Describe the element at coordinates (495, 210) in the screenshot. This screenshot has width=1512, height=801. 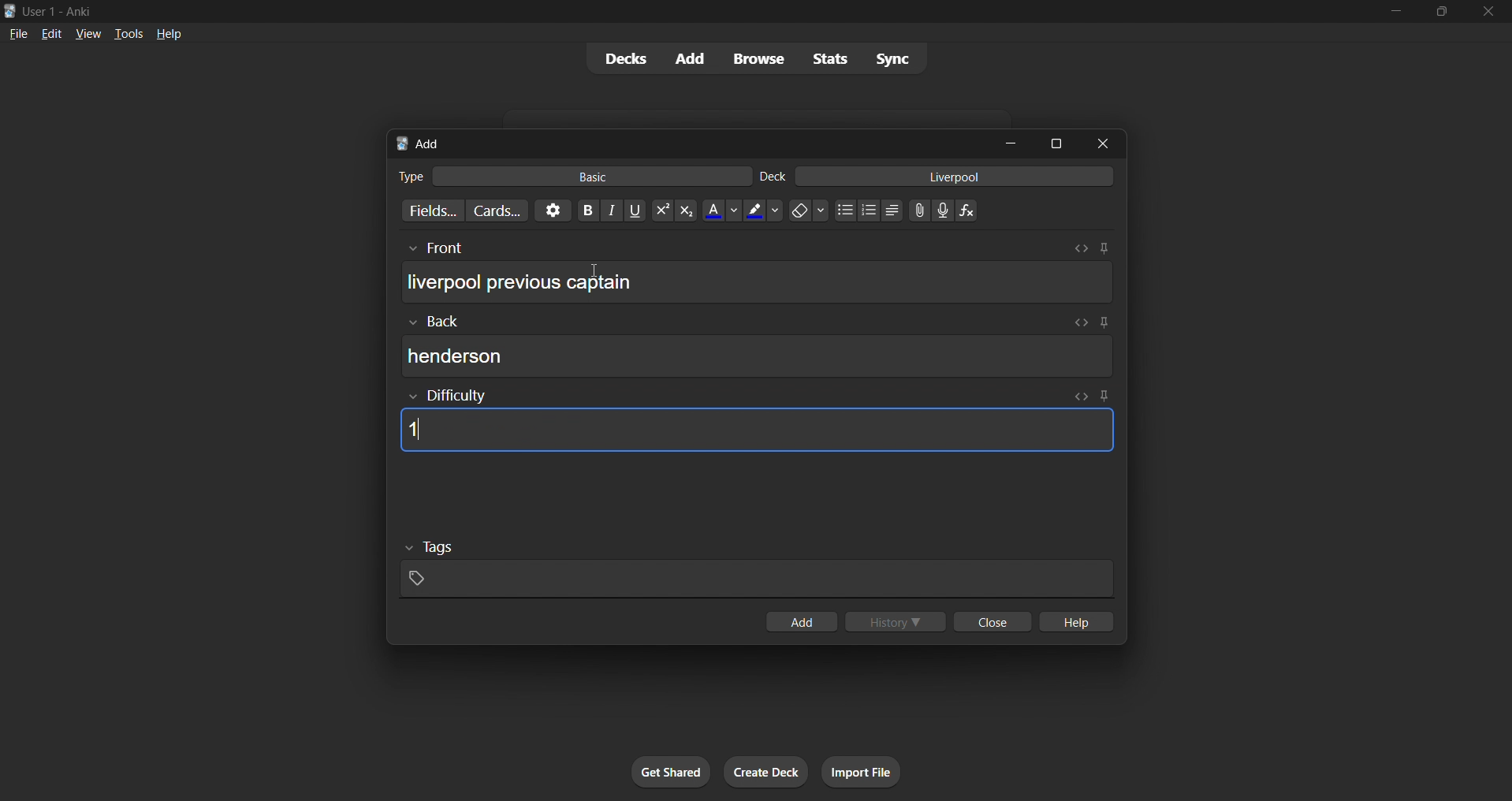
I see `customize card templates` at that location.